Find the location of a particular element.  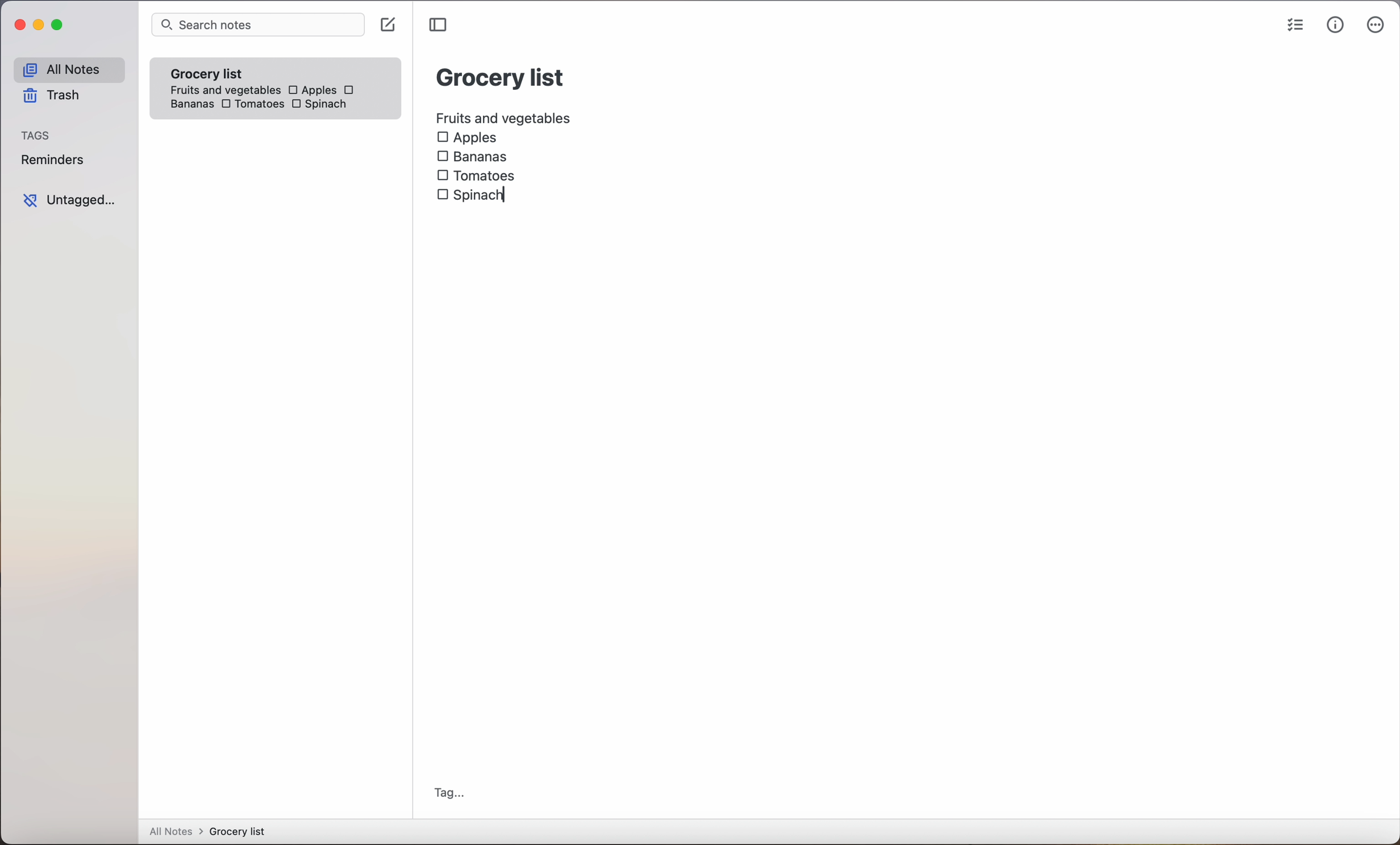

minimize Simplenote is located at coordinates (41, 27).